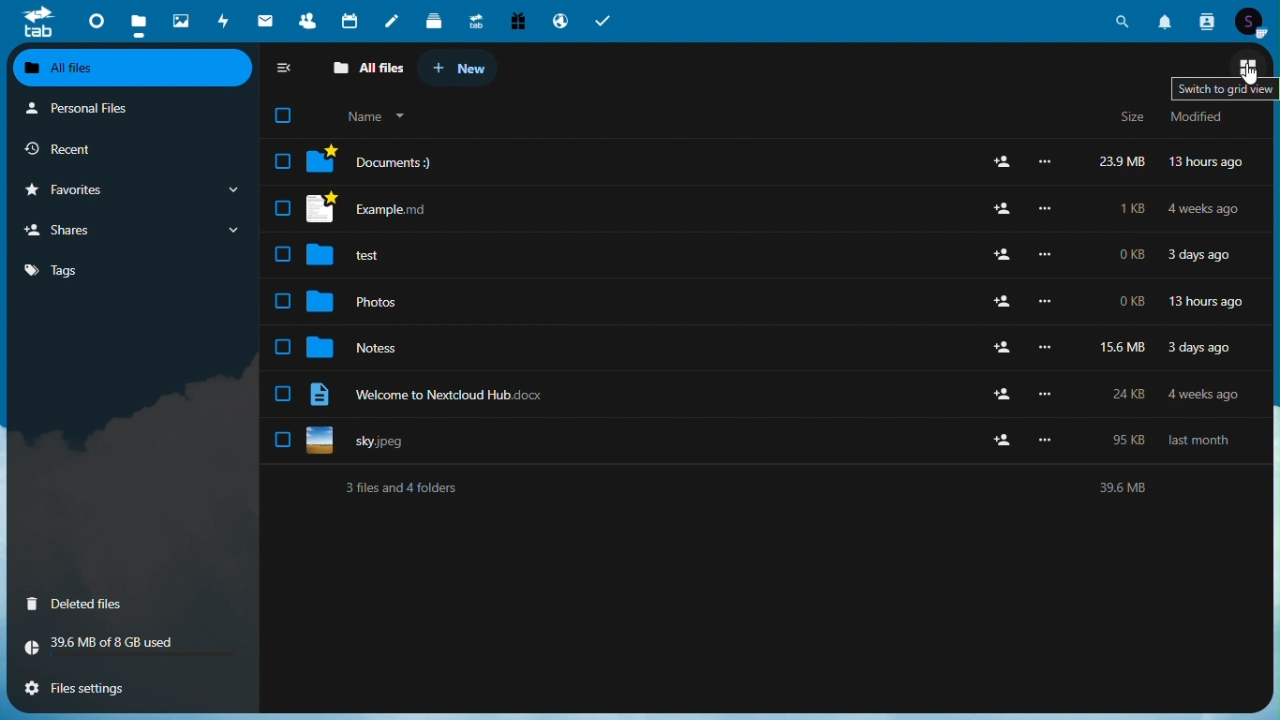 The height and width of the screenshot is (720, 1280). What do you see at coordinates (282, 395) in the screenshot?
I see `checkbox` at bounding box center [282, 395].